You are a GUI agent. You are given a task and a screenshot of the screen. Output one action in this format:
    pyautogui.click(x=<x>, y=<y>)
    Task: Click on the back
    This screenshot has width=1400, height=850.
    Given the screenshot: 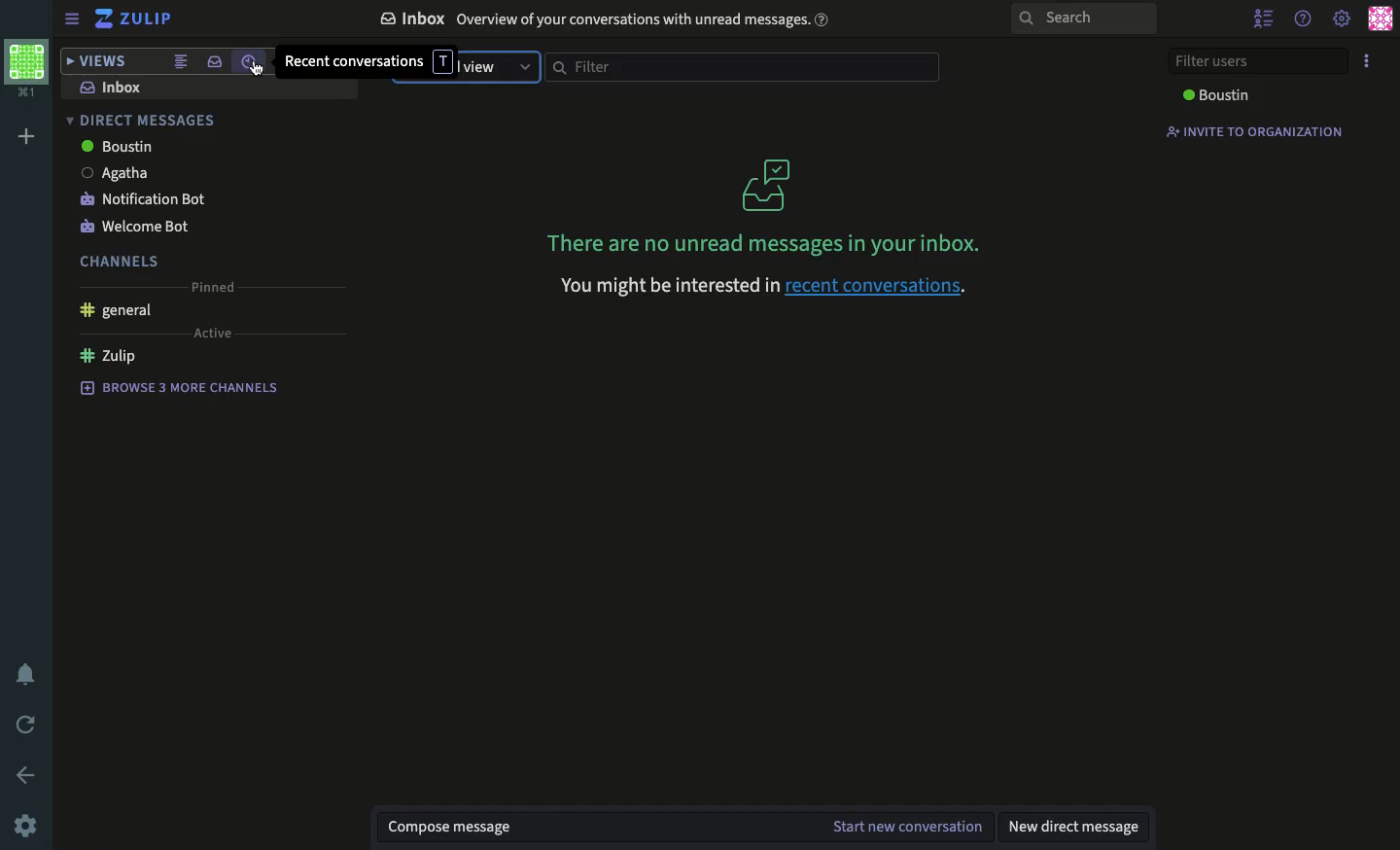 What is the action you would take?
    pyautogui.click(x=27, y=775)
    